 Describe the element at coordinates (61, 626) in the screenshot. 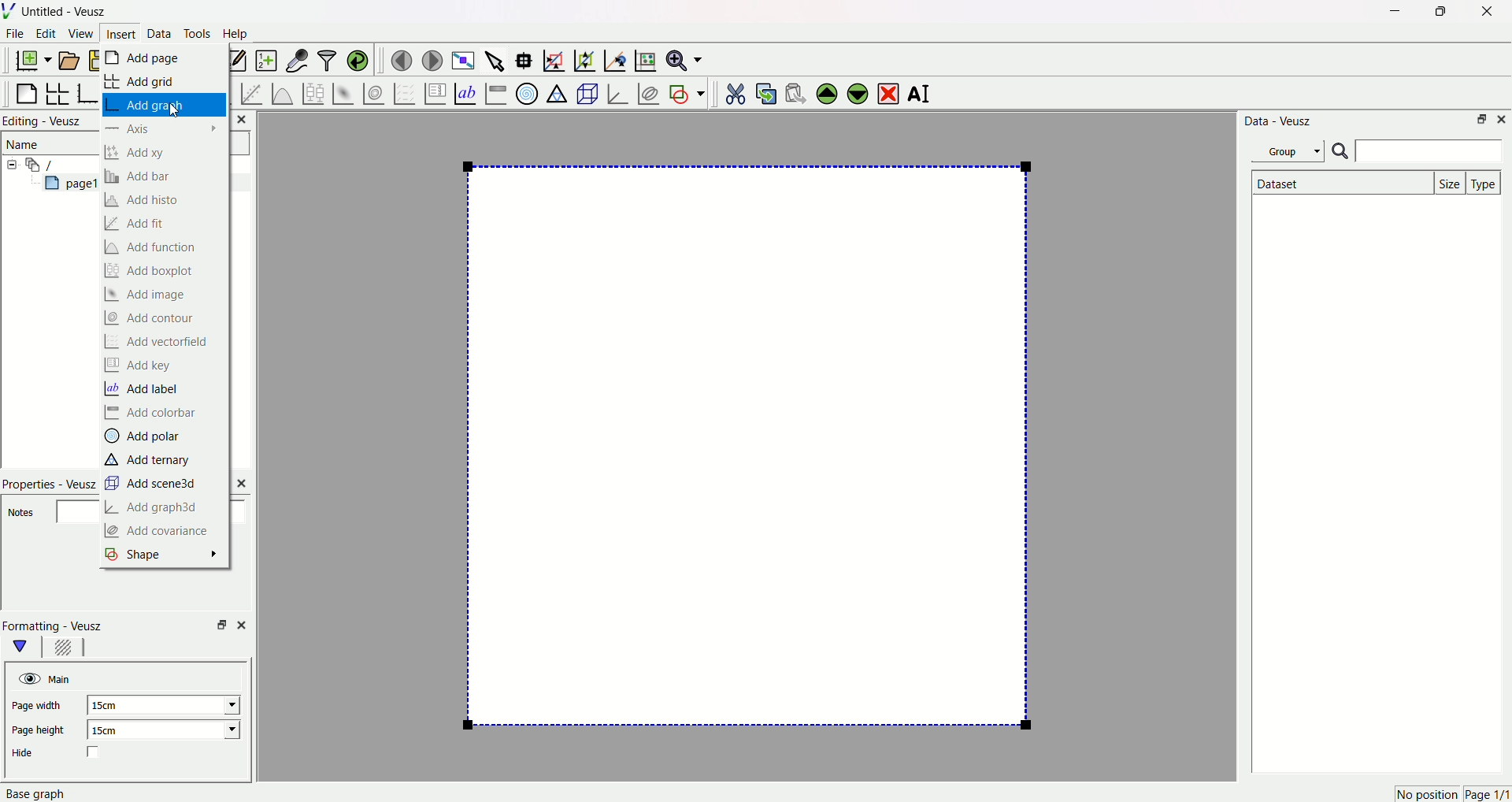

I see `Formatting - Veusz` at that location.